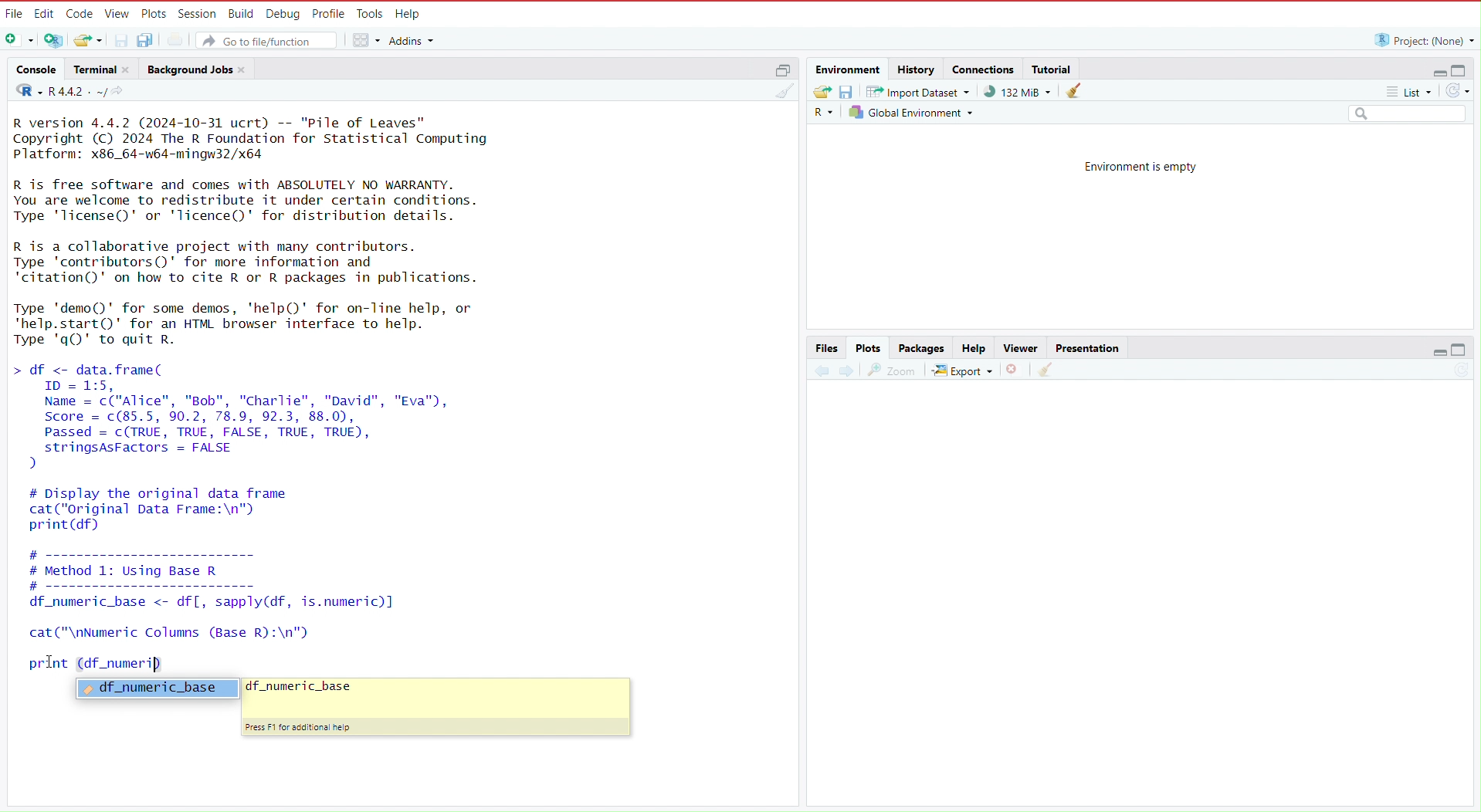 This screenshot has height=812, width=1481. I want to click on Presentation, so click(1087, 345).